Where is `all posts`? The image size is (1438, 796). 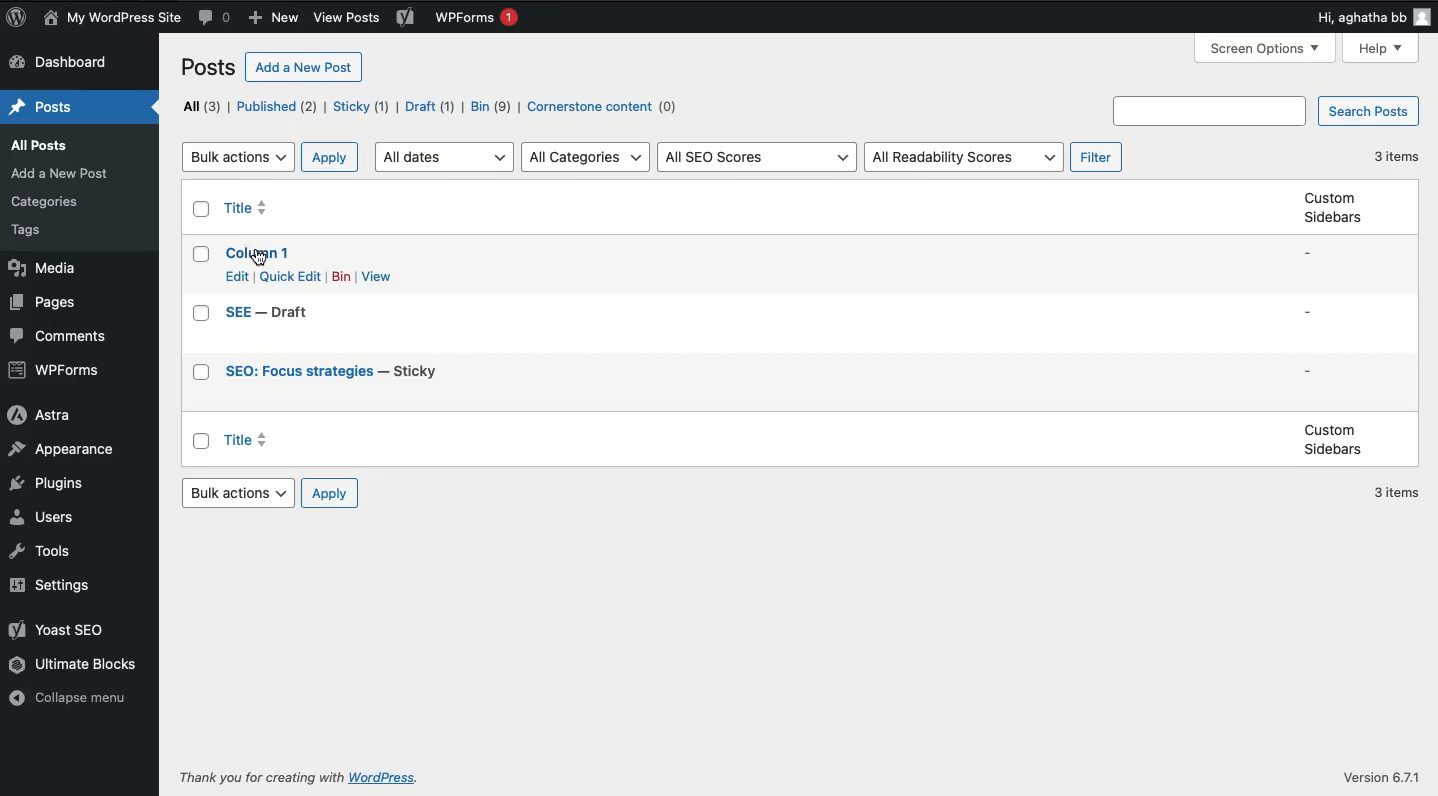
all posts is located at coordinates (39, 144).